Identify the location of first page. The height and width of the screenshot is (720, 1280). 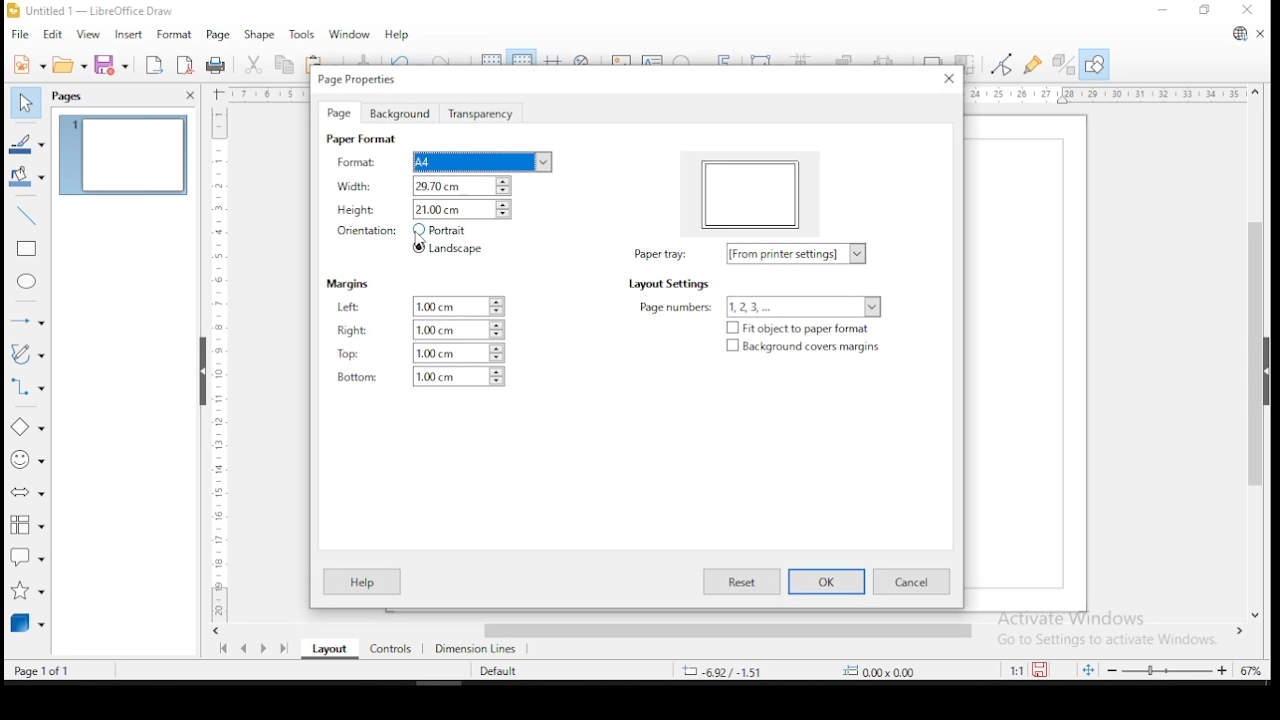
(223, 649).